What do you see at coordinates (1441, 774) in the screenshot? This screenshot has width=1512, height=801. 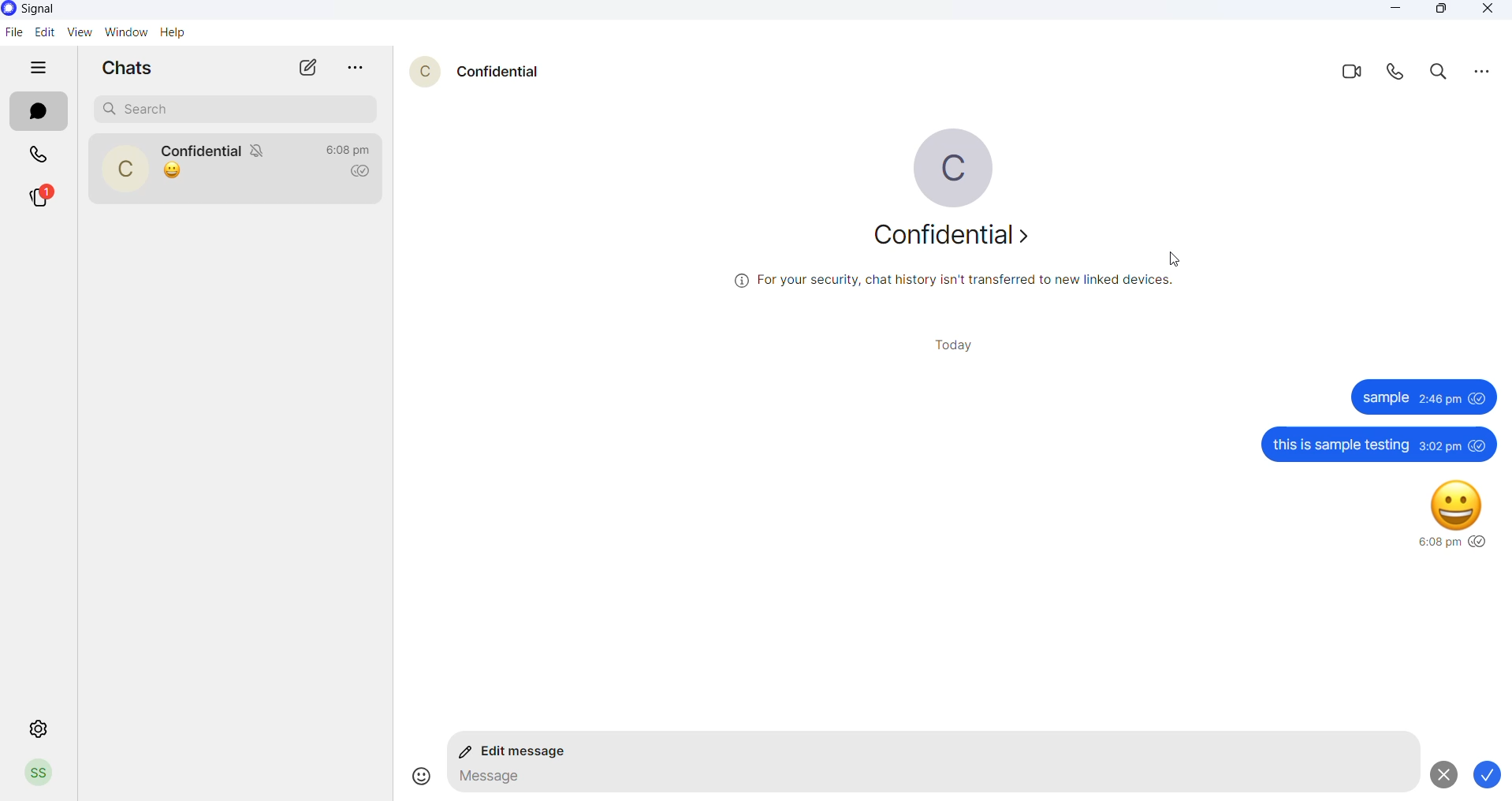 I see `cancel edit` at bounding box center [1441, 774].